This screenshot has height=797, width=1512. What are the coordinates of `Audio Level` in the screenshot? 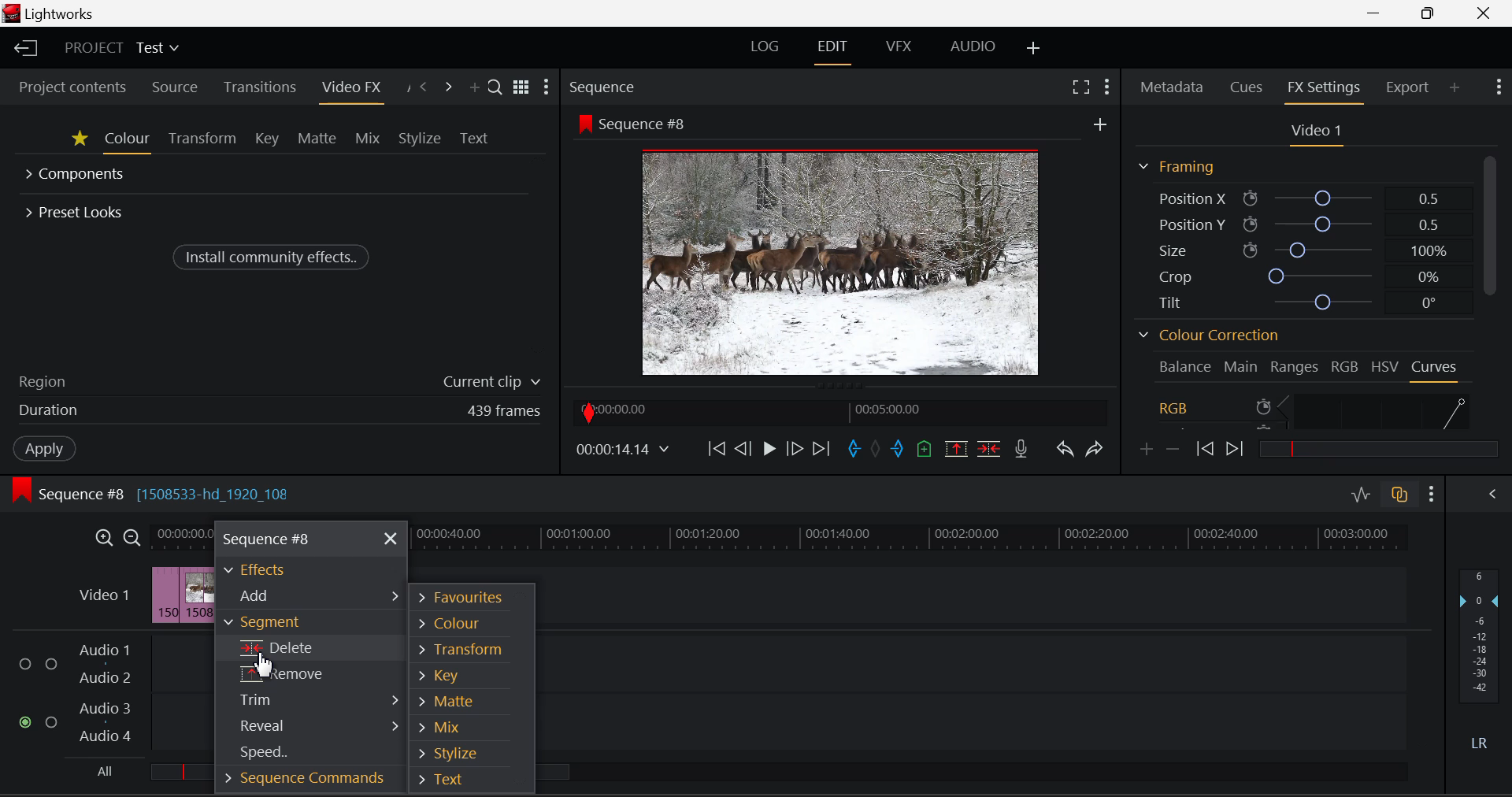 It's located at (109, 691).